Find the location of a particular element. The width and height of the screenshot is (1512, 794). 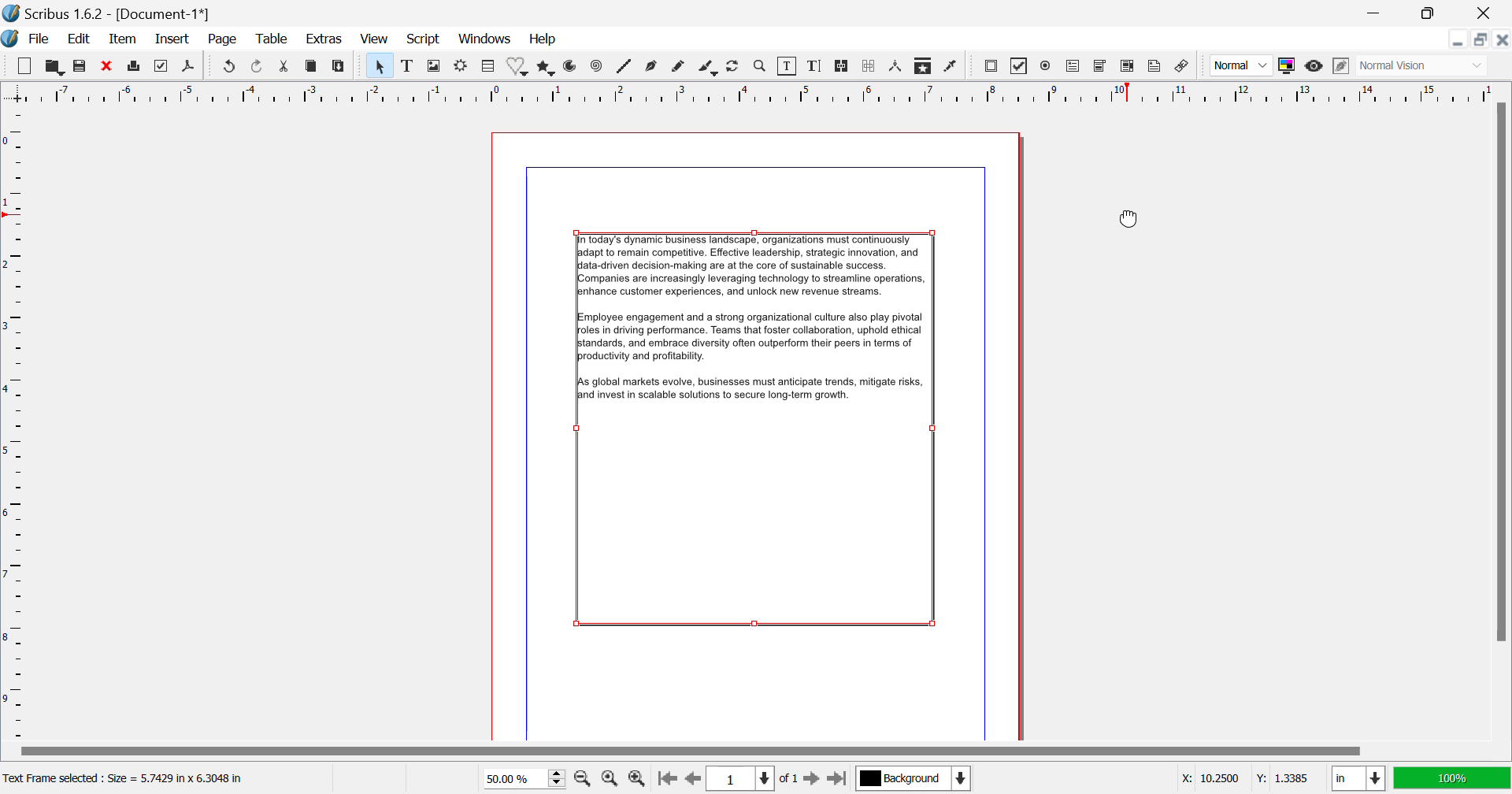

Shapes is located at coordinates (518, 66).